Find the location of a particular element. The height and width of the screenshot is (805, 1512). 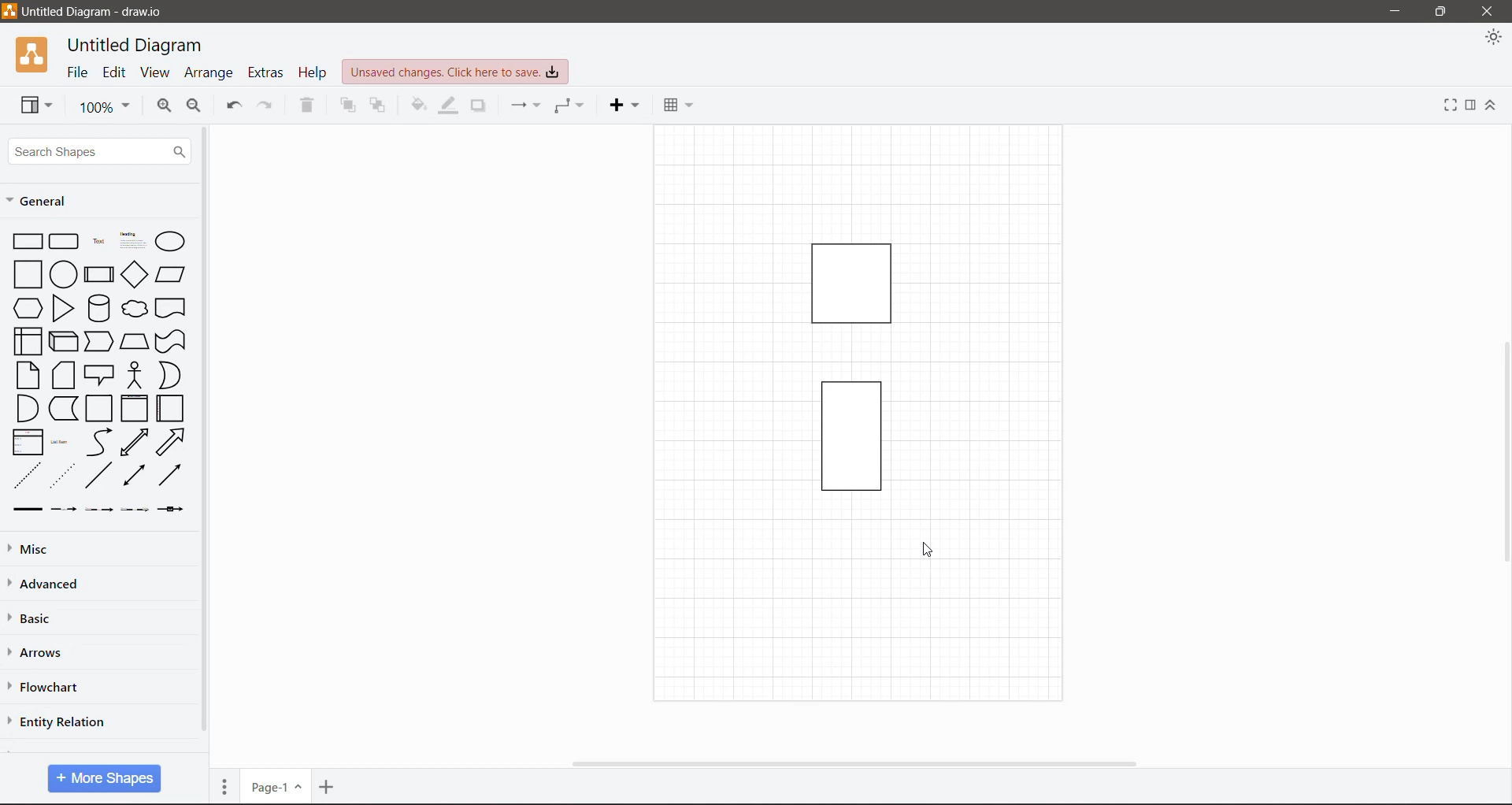

Fullscreen is located at coordinates (1450, 105).